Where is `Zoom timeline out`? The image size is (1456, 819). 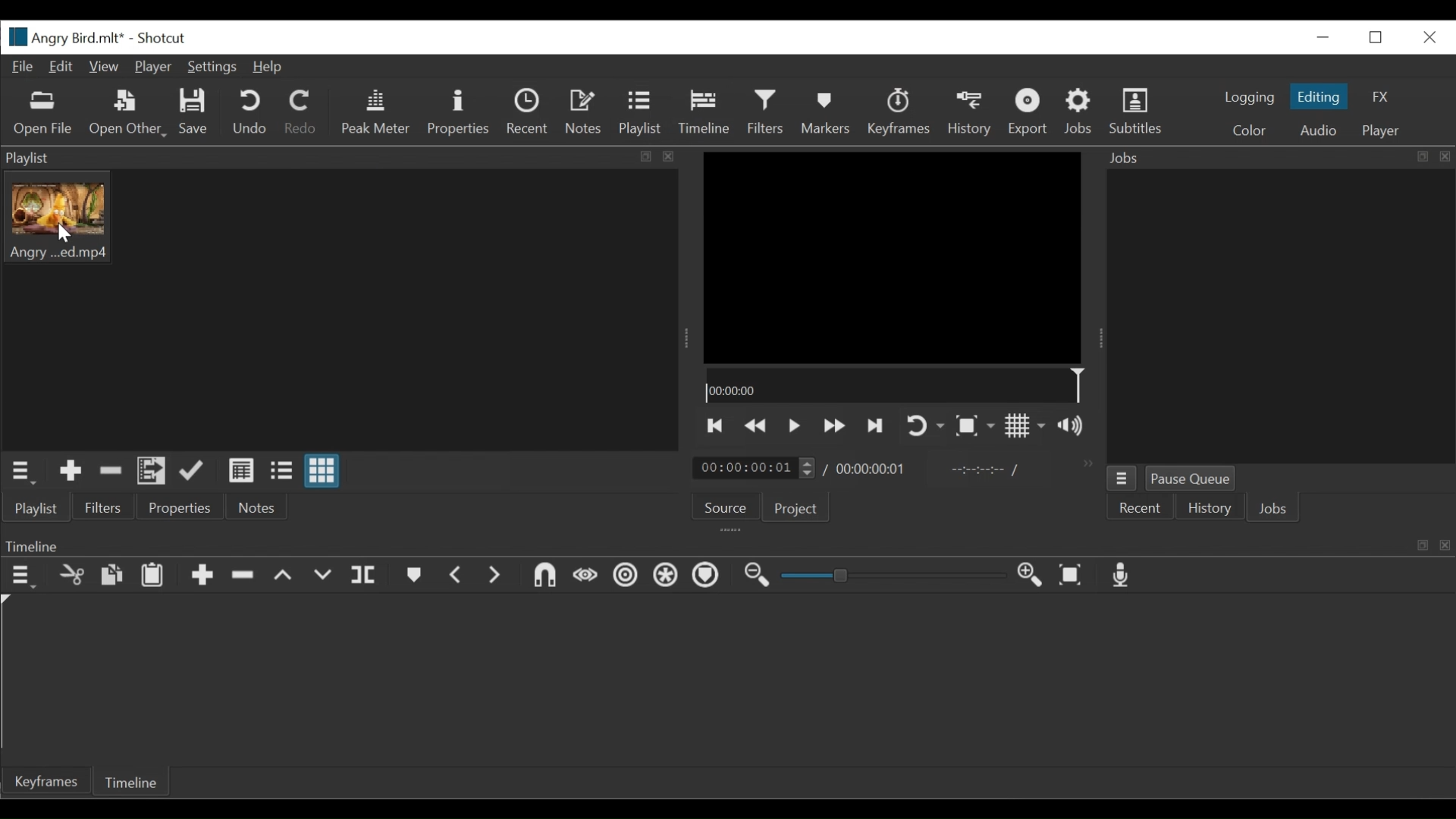
Zoom timeline out is located at coordinates (756, 575).